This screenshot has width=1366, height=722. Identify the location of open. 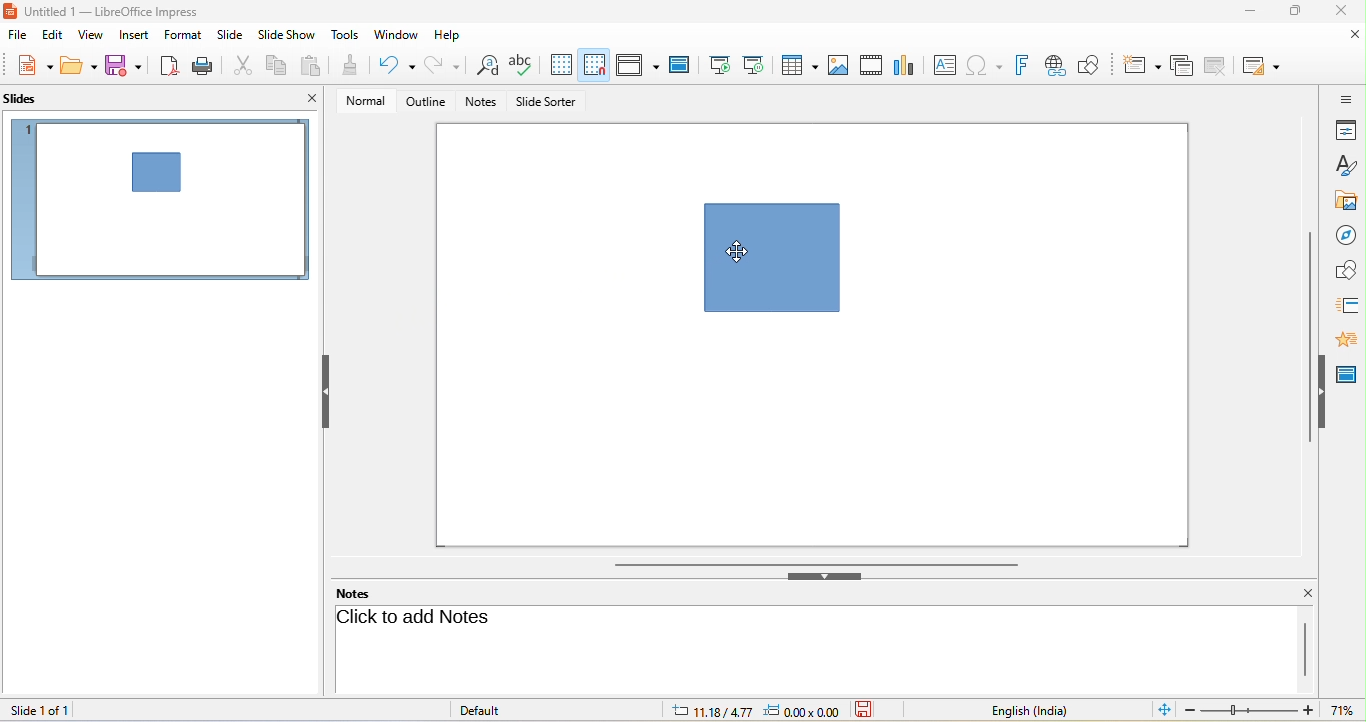
(78, 66).